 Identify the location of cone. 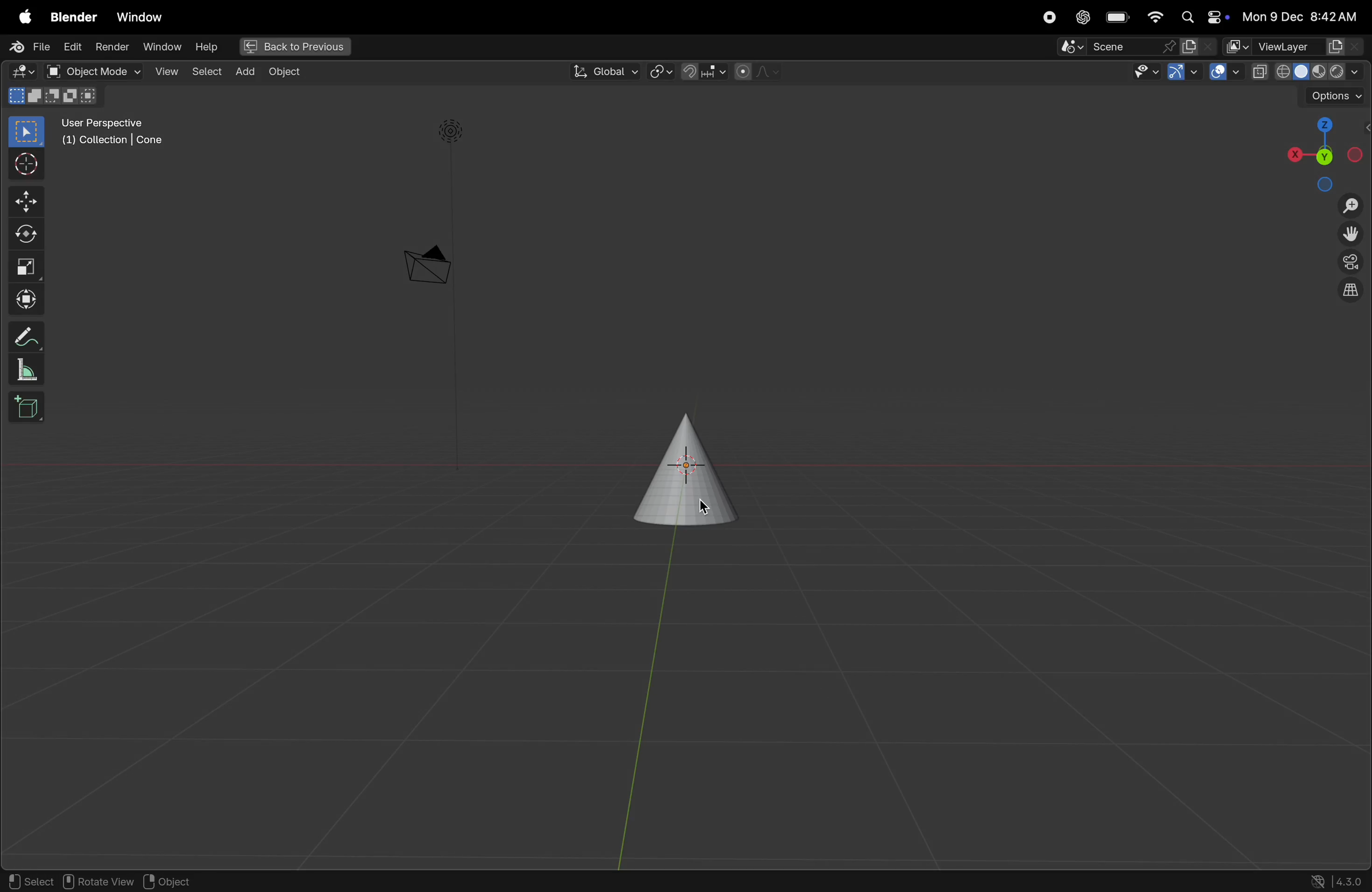
(680, 464).